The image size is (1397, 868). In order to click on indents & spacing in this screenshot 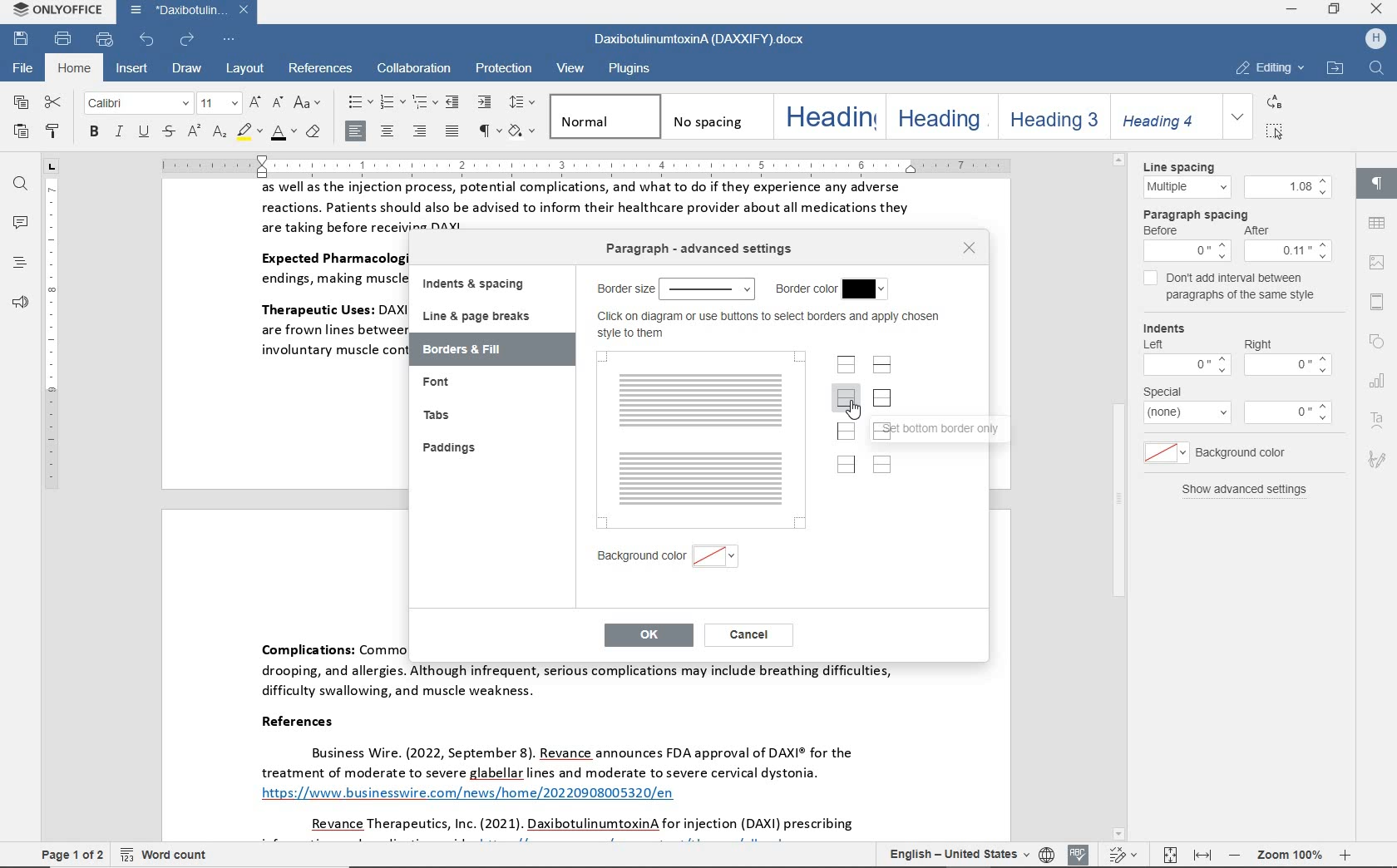, I will do `click(477, 287)`.